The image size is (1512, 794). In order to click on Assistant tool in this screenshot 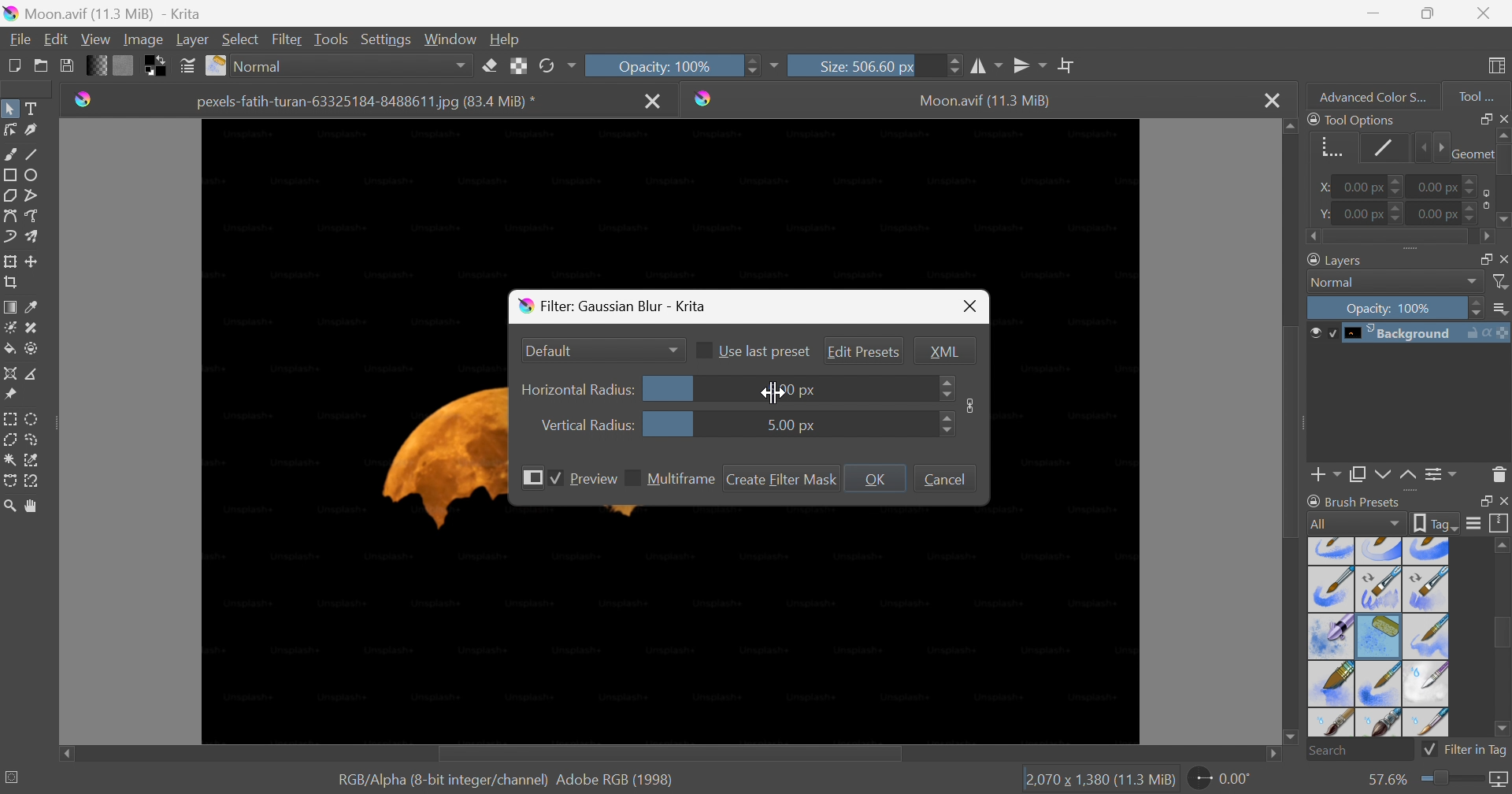, I will do `click(9, 373)`.